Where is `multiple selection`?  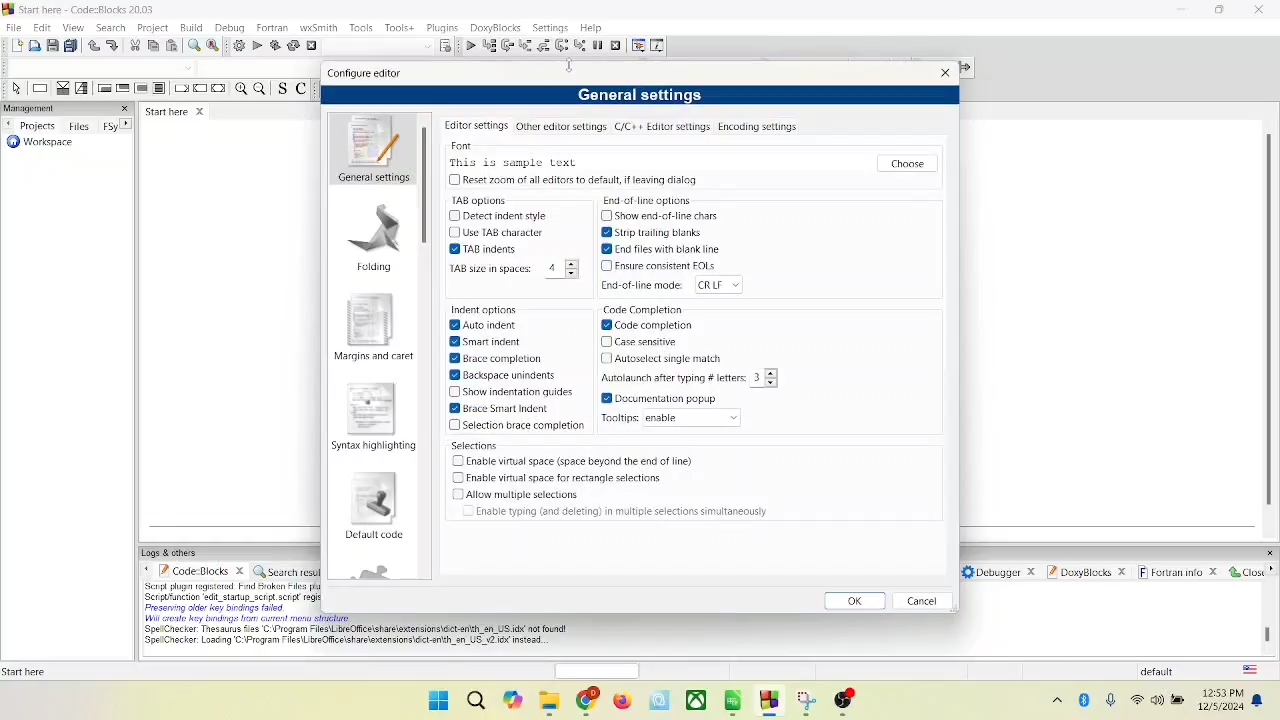
multiple selection is located at coordinates (517, 495).